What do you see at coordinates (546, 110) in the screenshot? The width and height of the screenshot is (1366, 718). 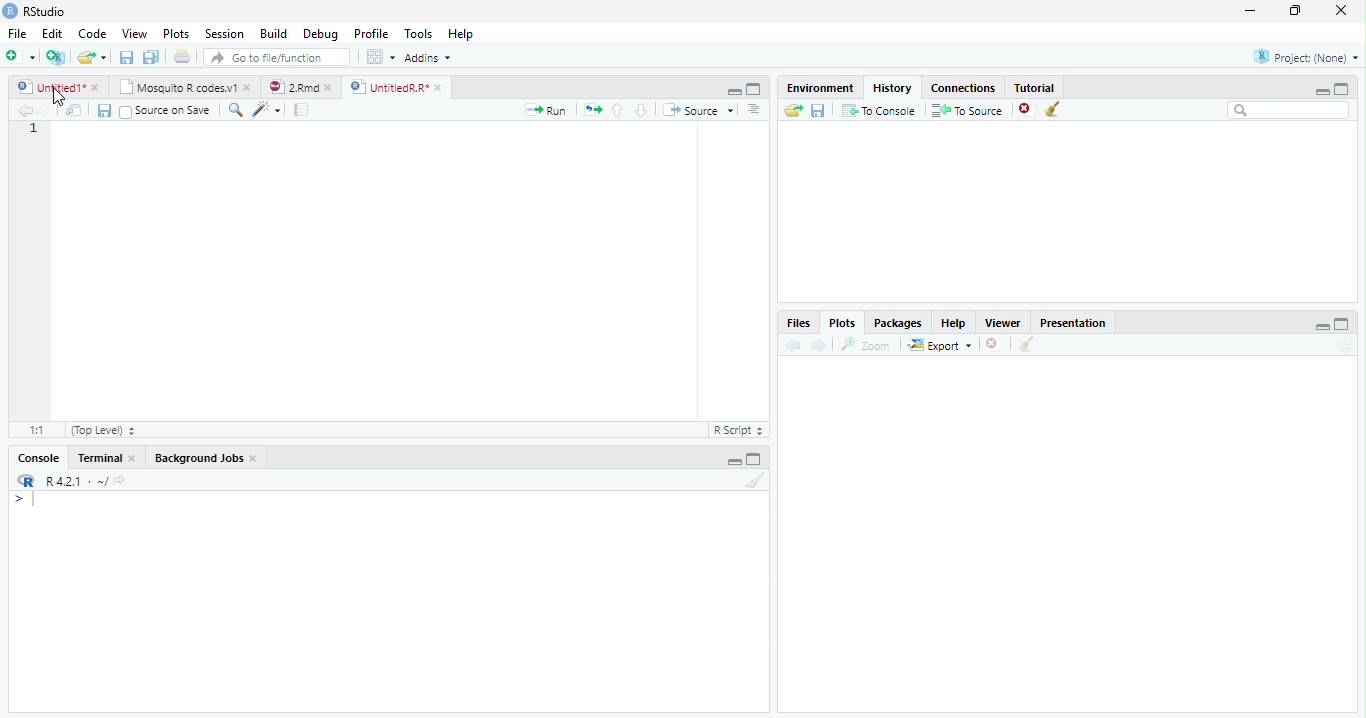 I see `Run` at bounding box center [546, 110].